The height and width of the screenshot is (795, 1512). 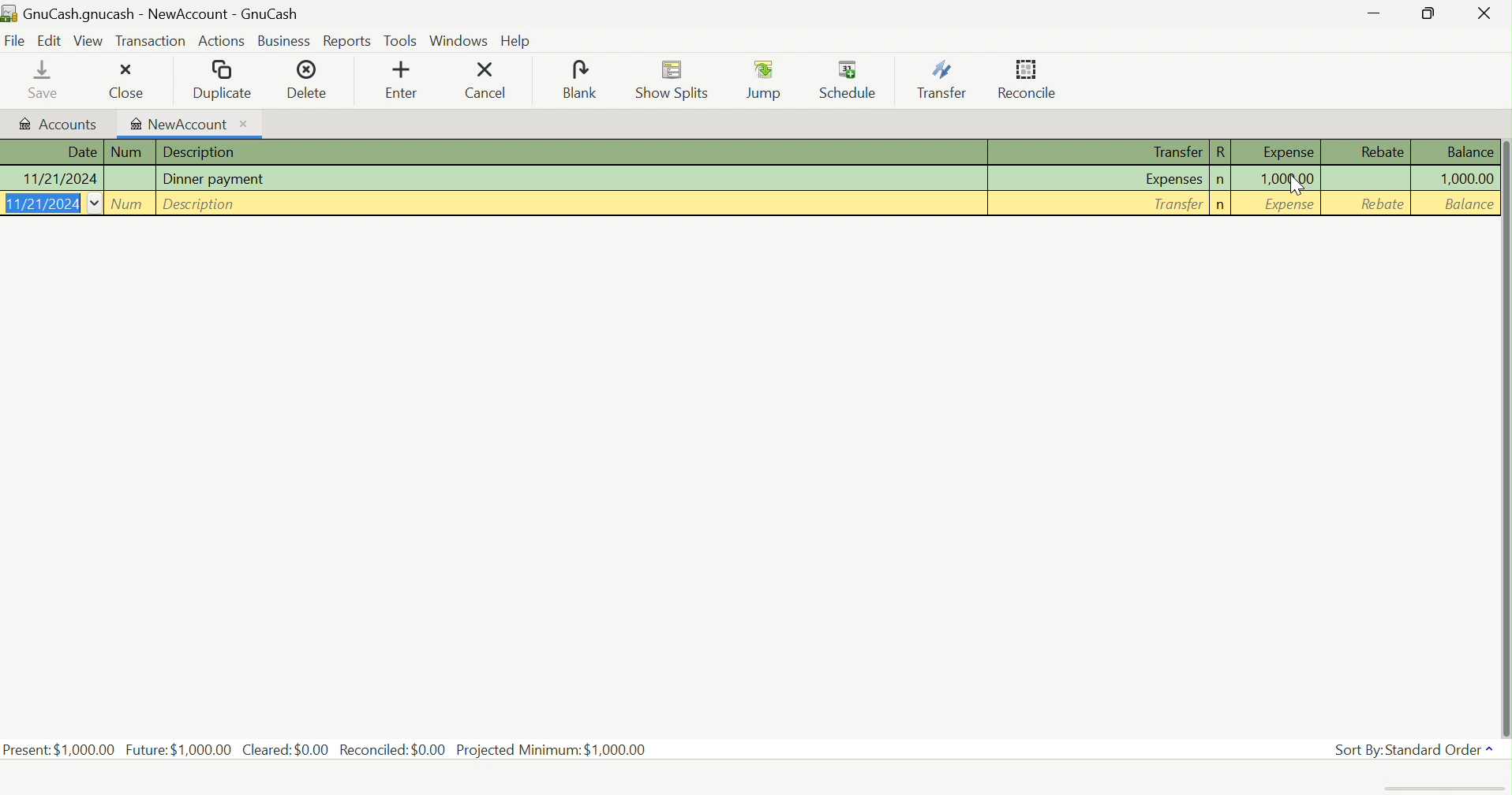 I want to click on 11/21/2024, so click(x=58, y=179).